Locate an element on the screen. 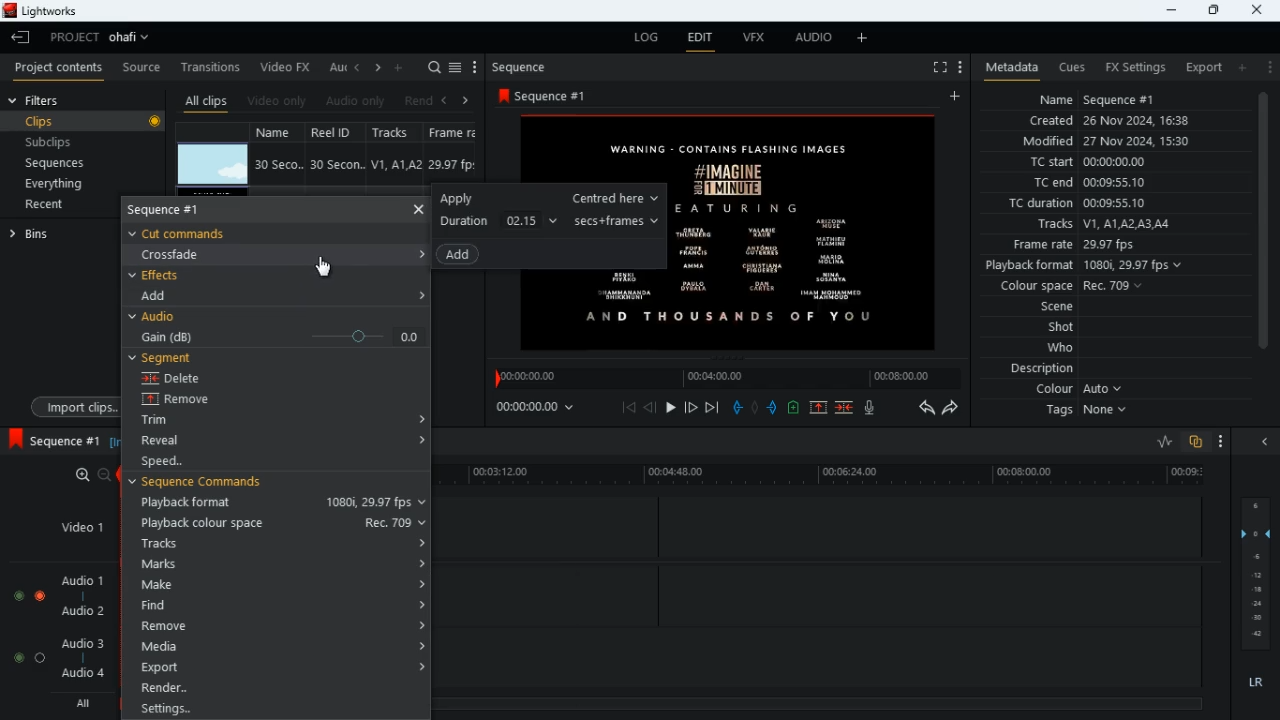 Image resolution: width=1280 pixels, height=720 pixels. add is located at coordinates (163, 295).